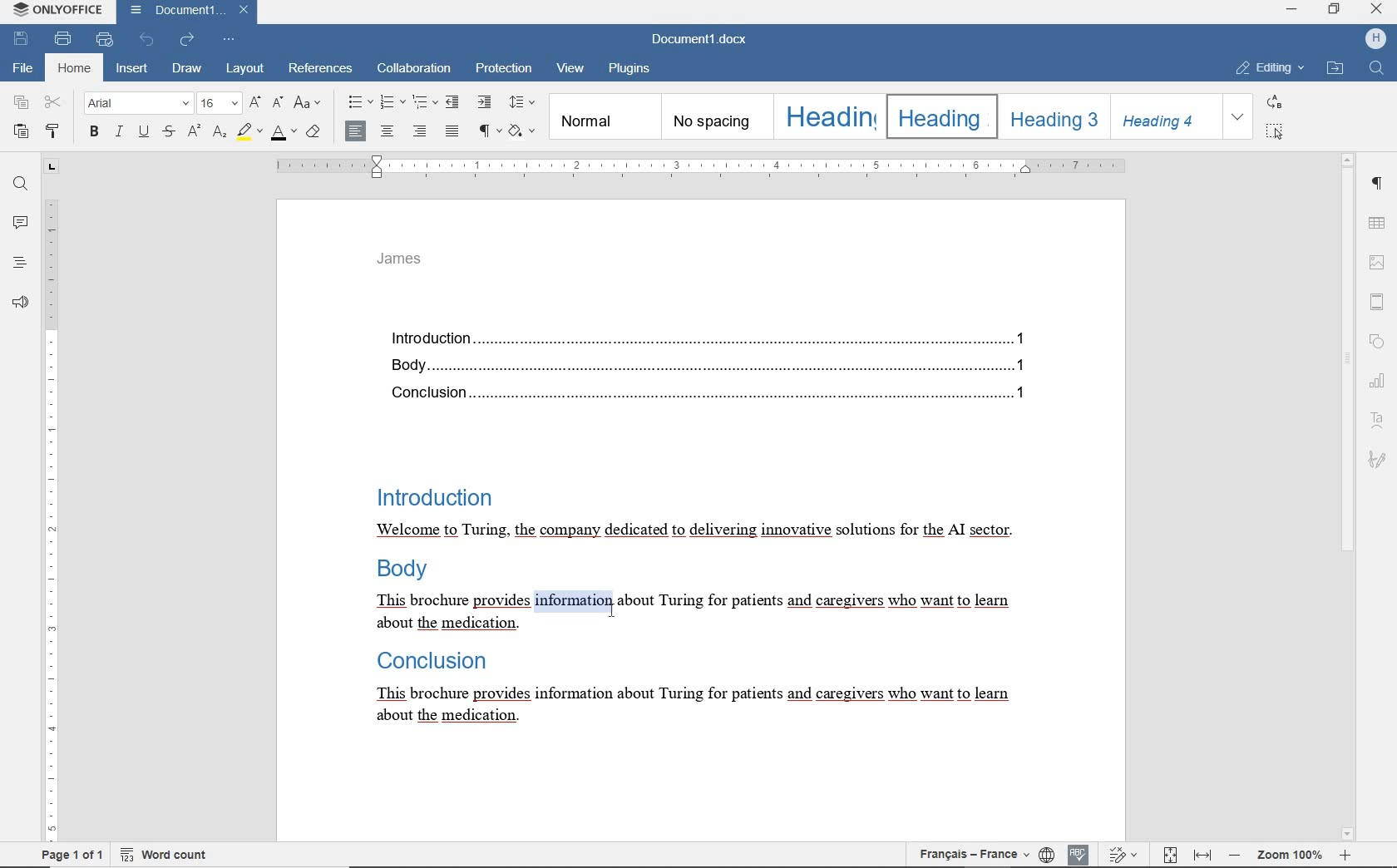 The height and width of the screenshot is (868, 1397). I want to click on Body, so click(405, 572).